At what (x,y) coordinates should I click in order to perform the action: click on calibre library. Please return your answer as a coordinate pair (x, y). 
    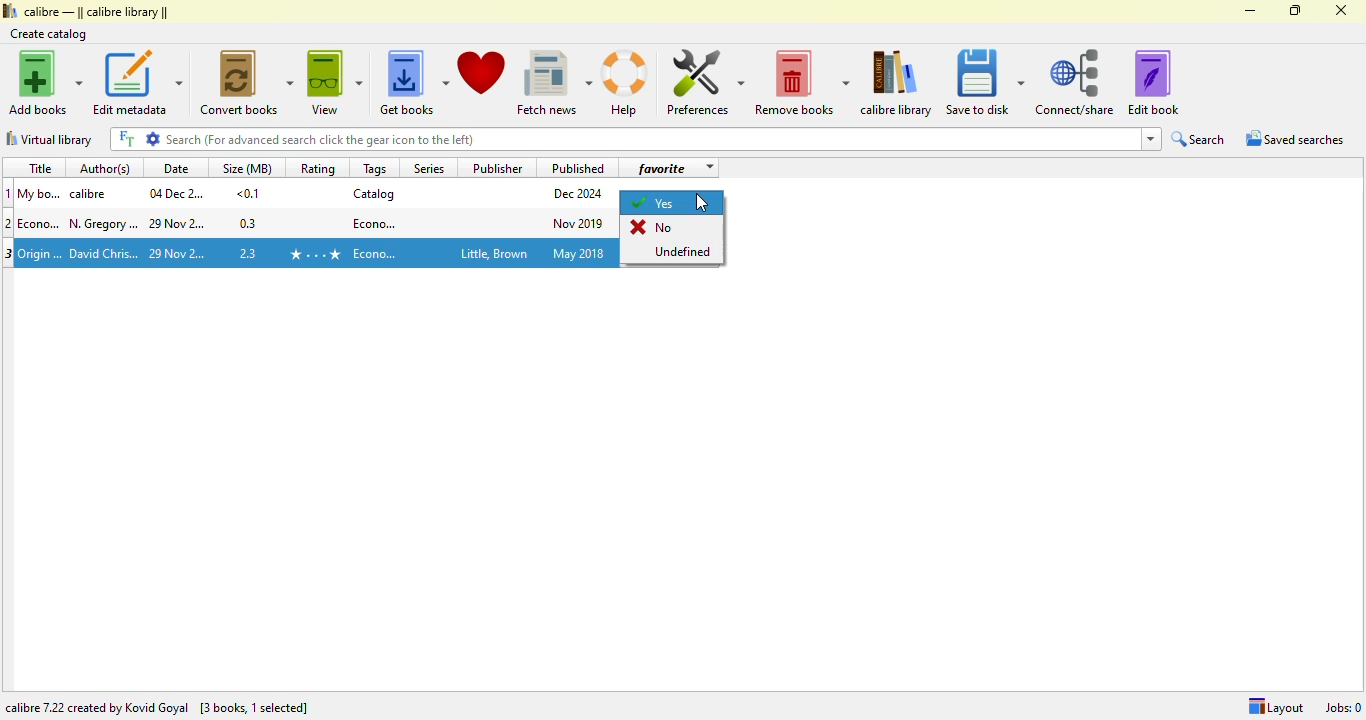
    Looking at the image, I should click on (97, 11).